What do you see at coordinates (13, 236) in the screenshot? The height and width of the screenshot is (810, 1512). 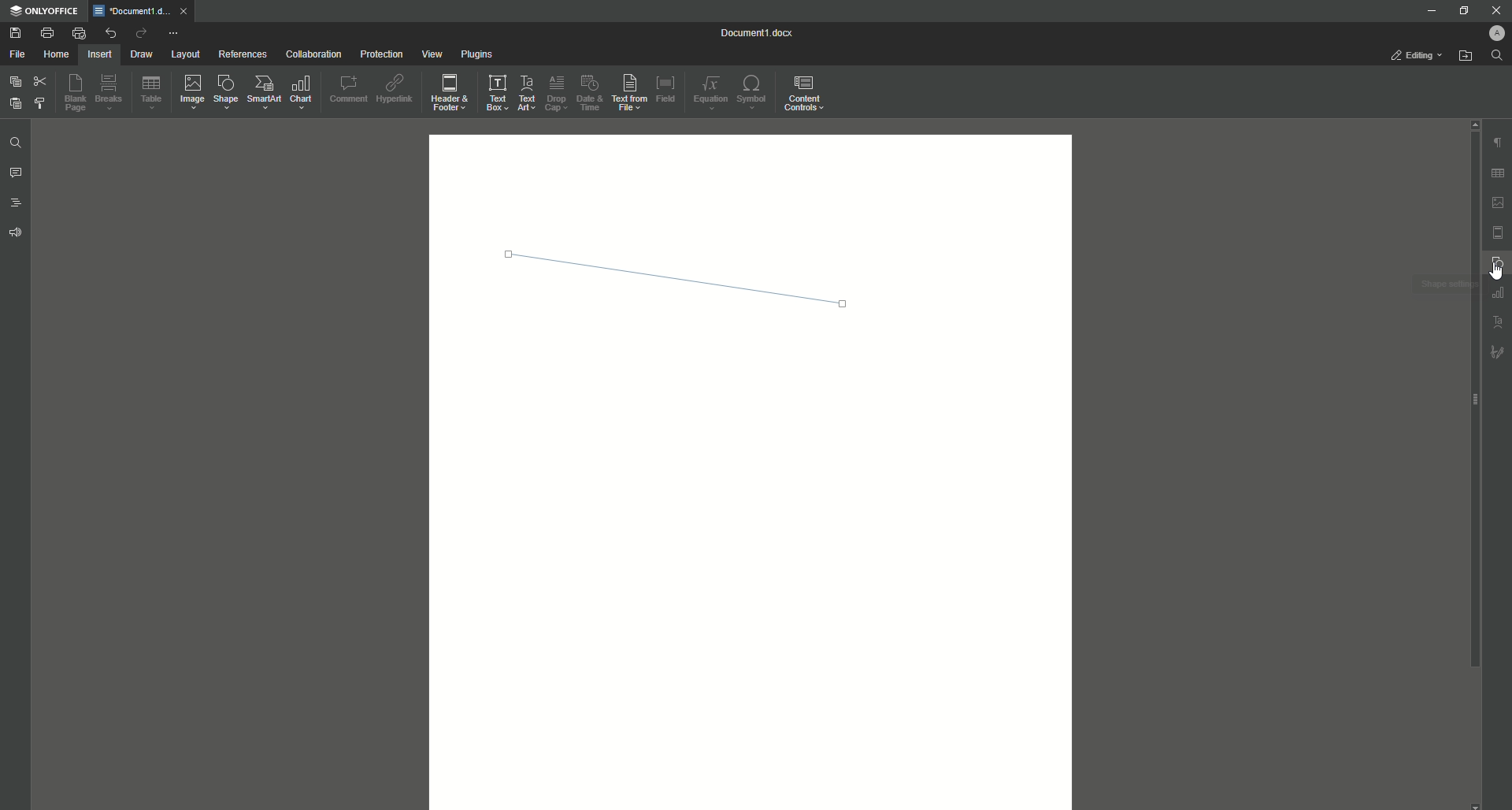 I see `Feedback` at bounding box center [13, 236].